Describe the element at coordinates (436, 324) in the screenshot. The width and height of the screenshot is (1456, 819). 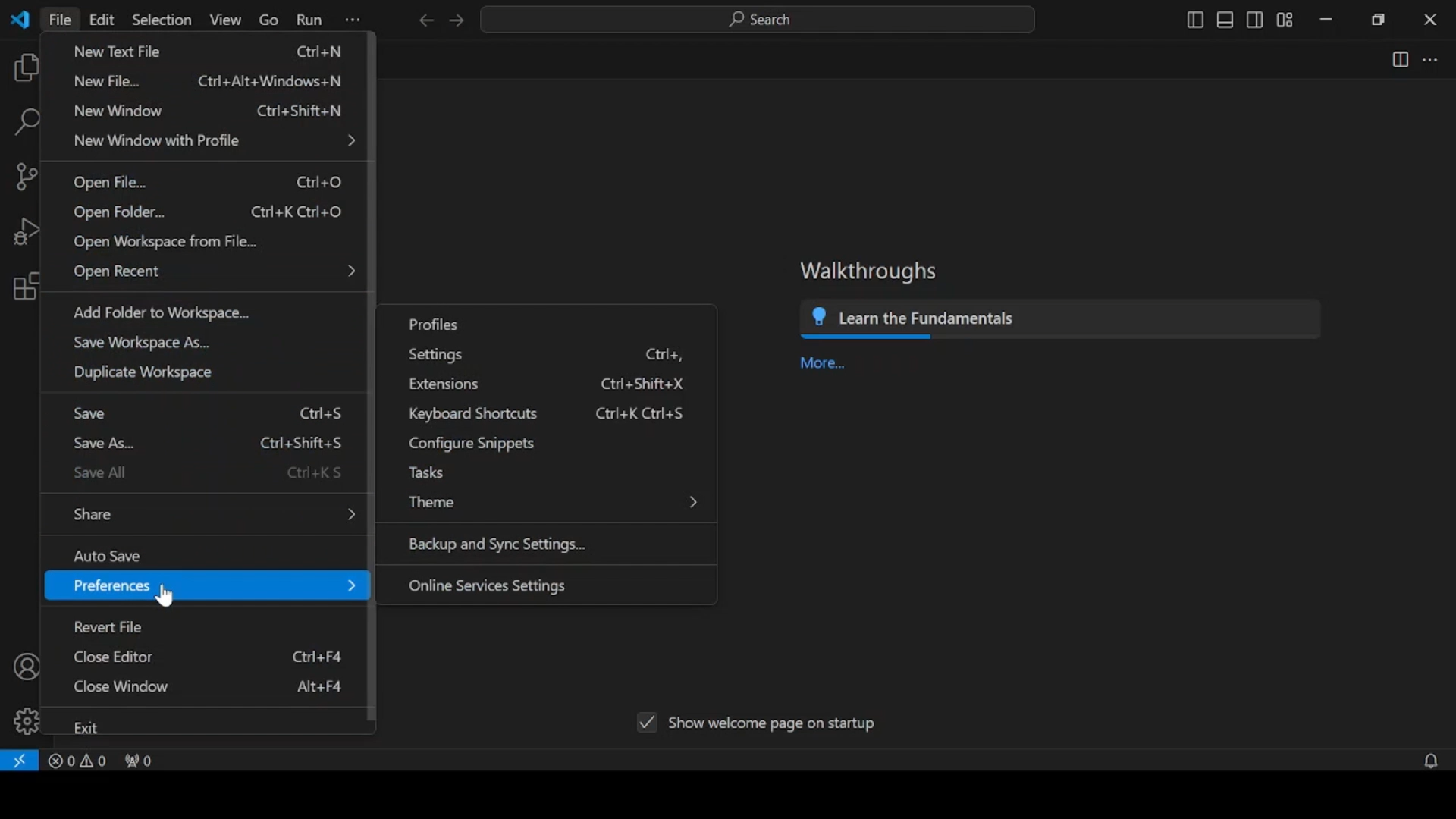
I see `profiles` at that location.